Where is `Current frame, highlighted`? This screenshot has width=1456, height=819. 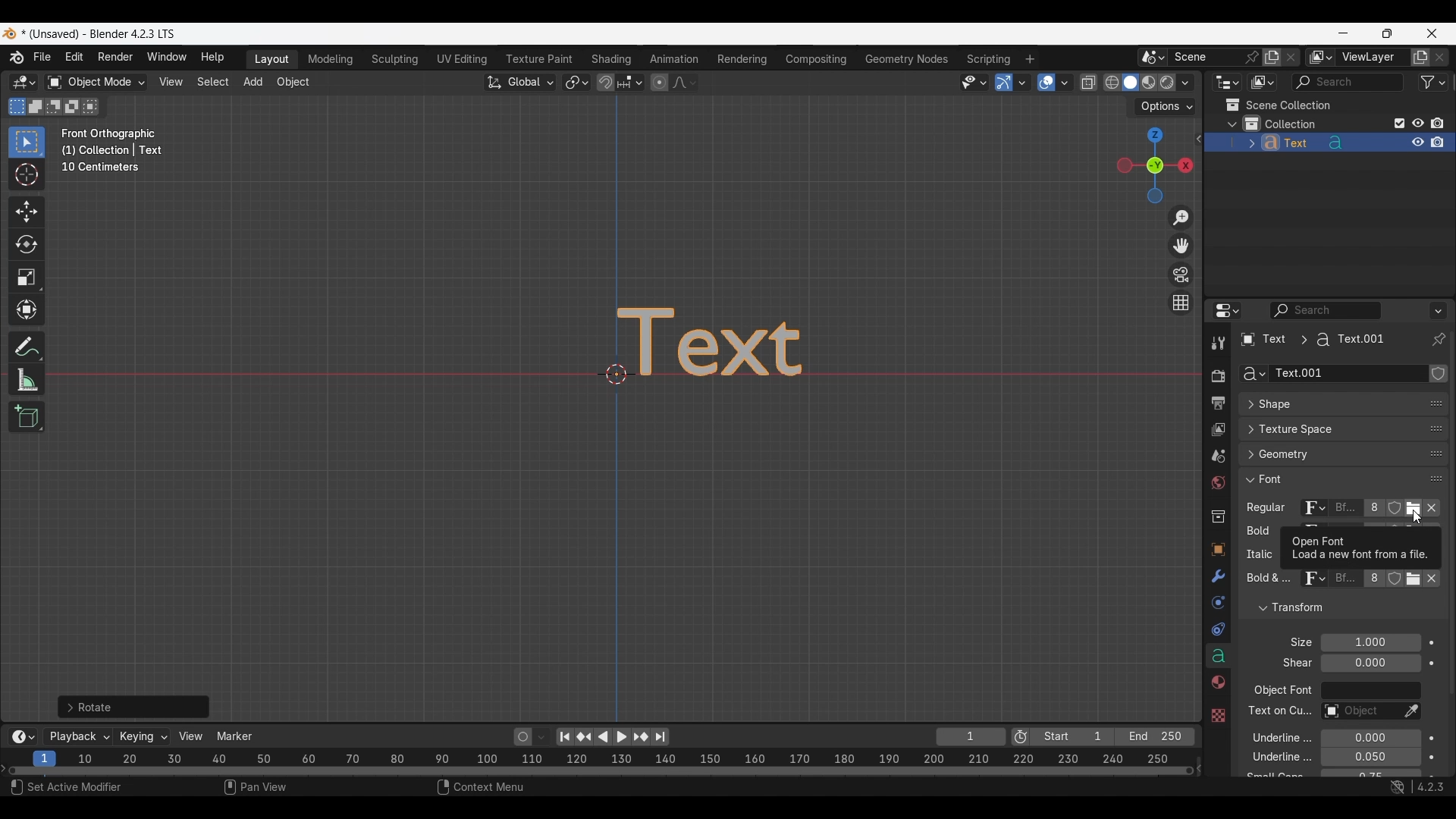
Current frame, highlighted is located at coordinates (45, 756).